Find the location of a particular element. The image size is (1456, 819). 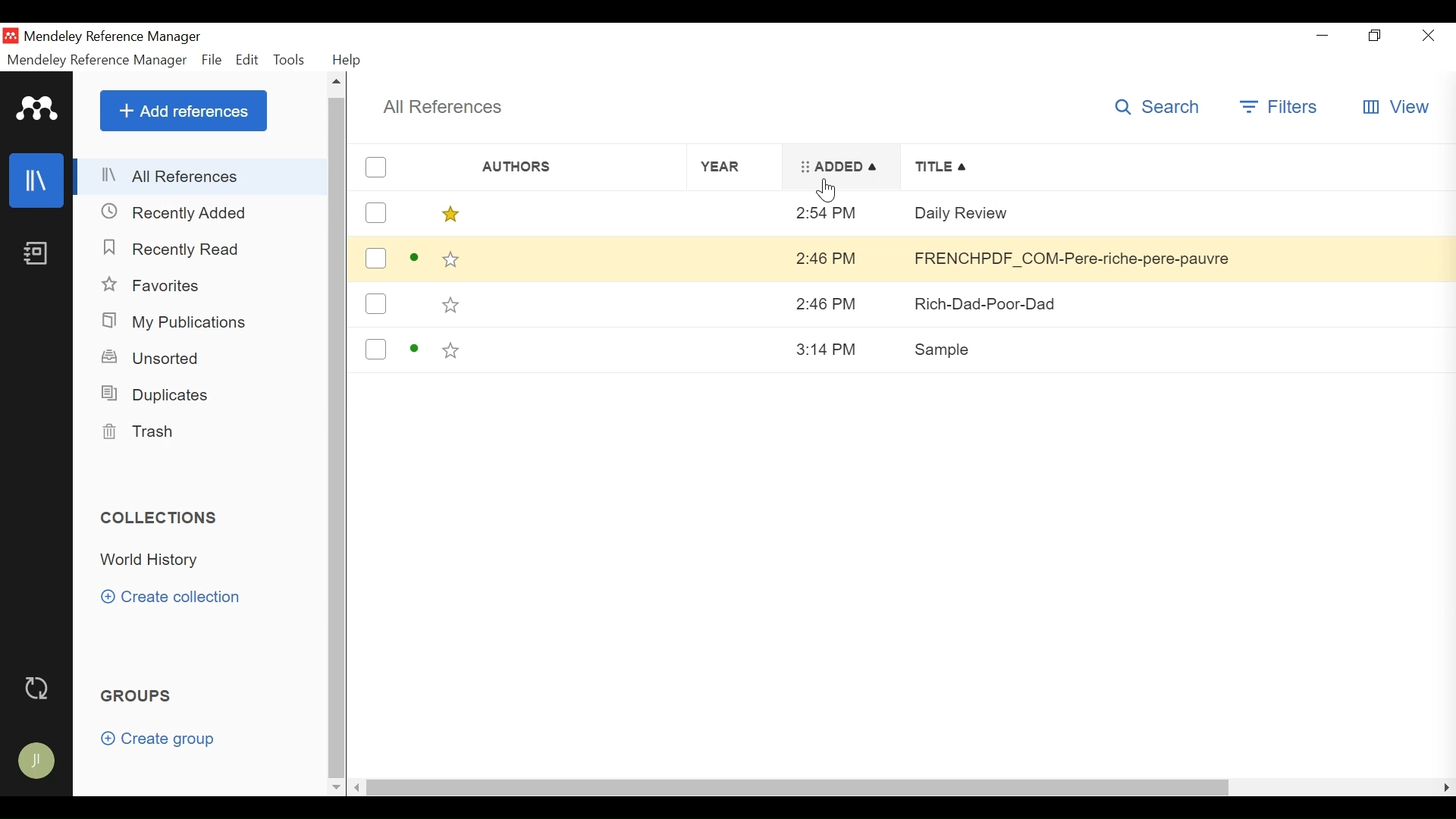

Library is located at coordinates (37, 182).